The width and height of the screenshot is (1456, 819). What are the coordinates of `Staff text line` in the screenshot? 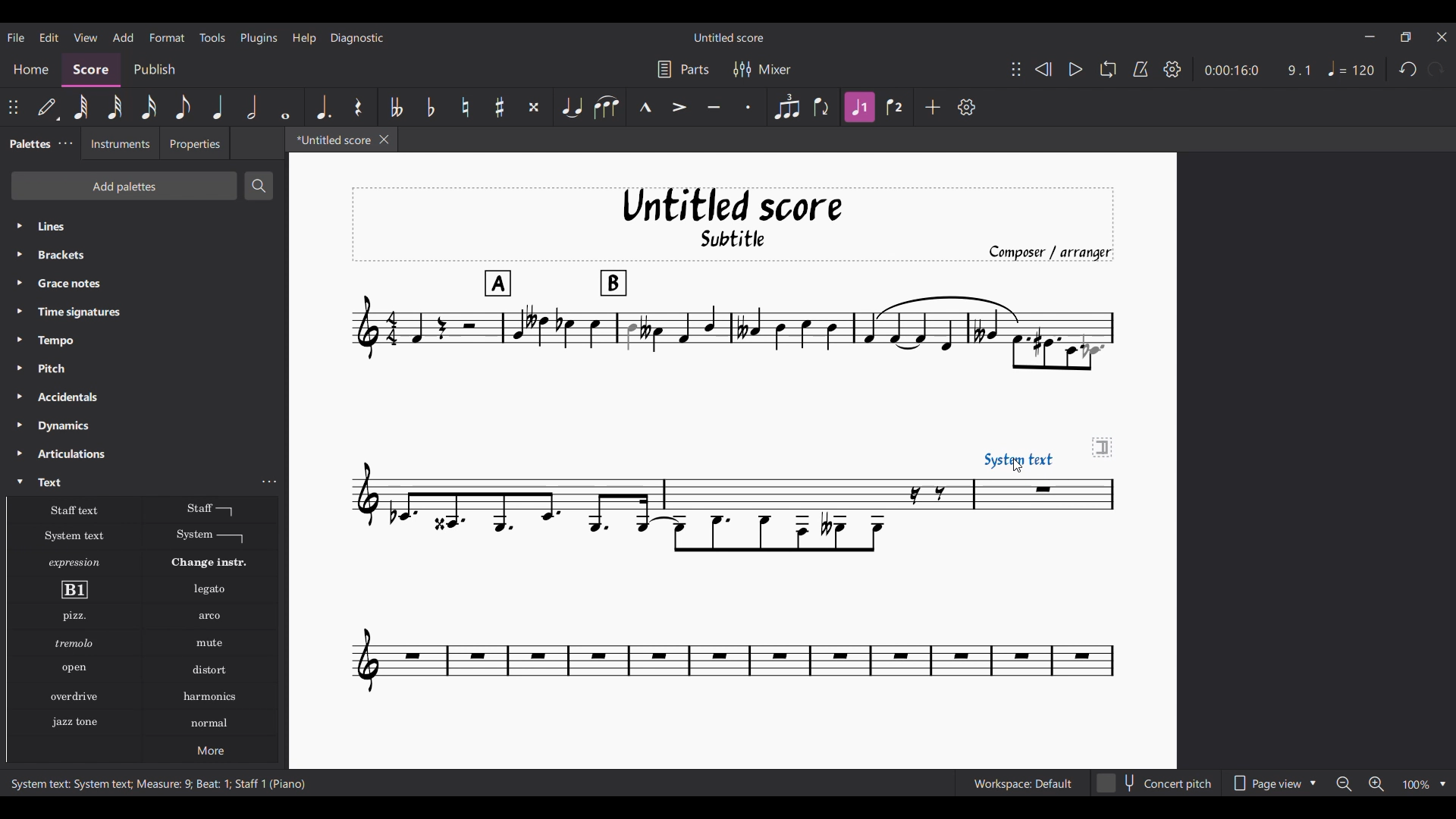 It's located at (211, 509).